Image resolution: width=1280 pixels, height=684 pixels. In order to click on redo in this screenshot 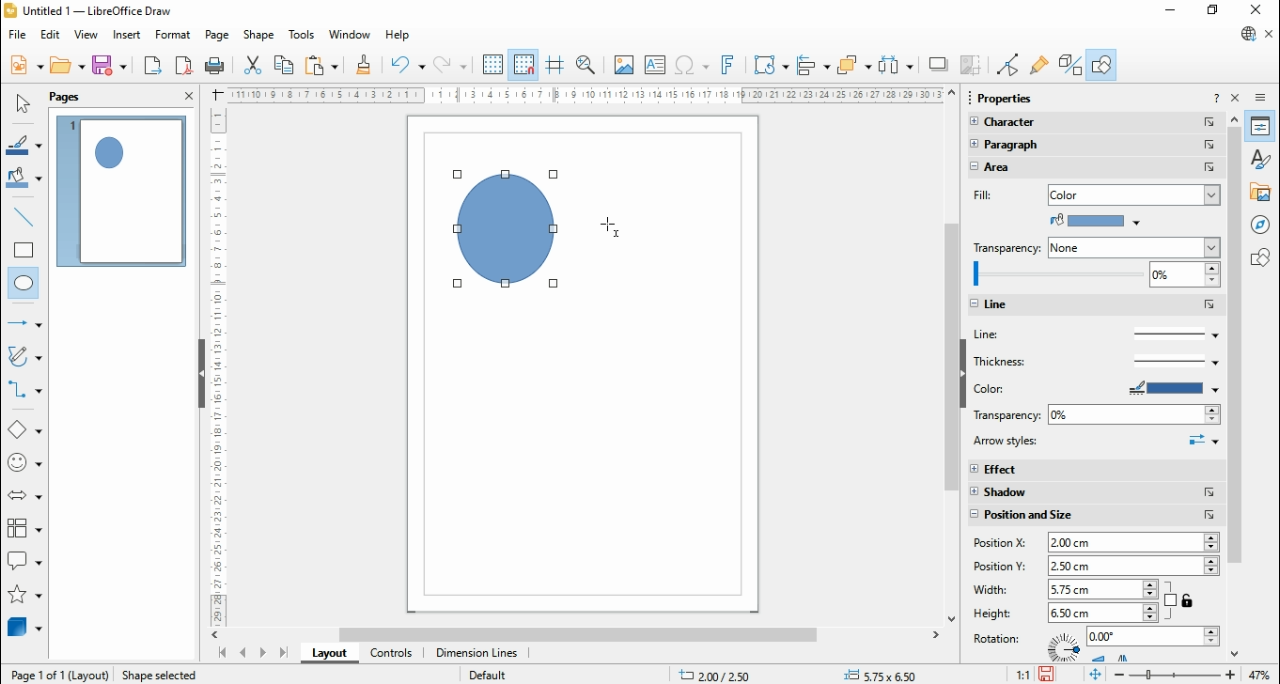, I will do `click(450, 65)`.